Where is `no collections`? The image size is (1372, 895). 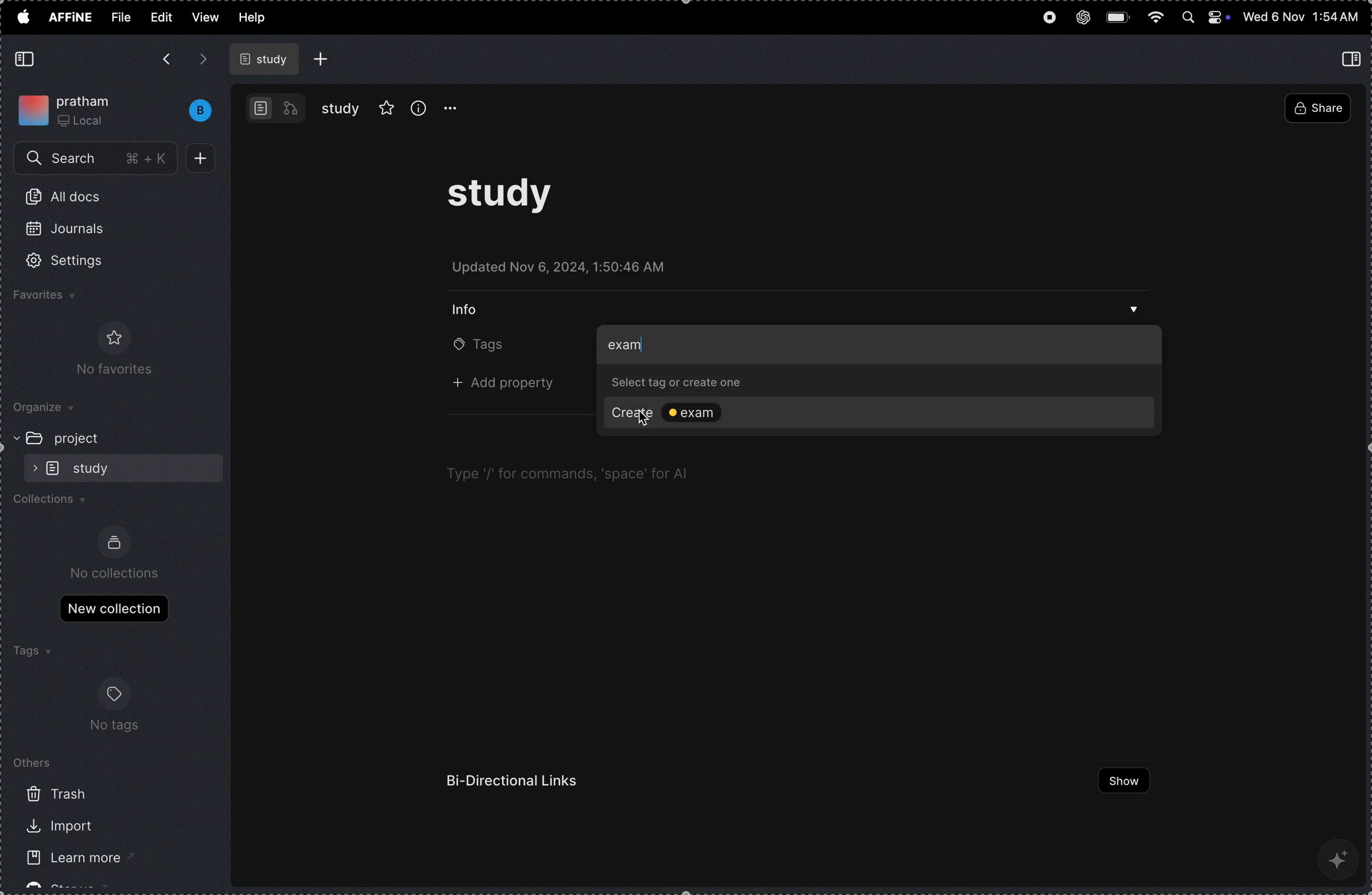 no collections is located at coordinates (116, 573).